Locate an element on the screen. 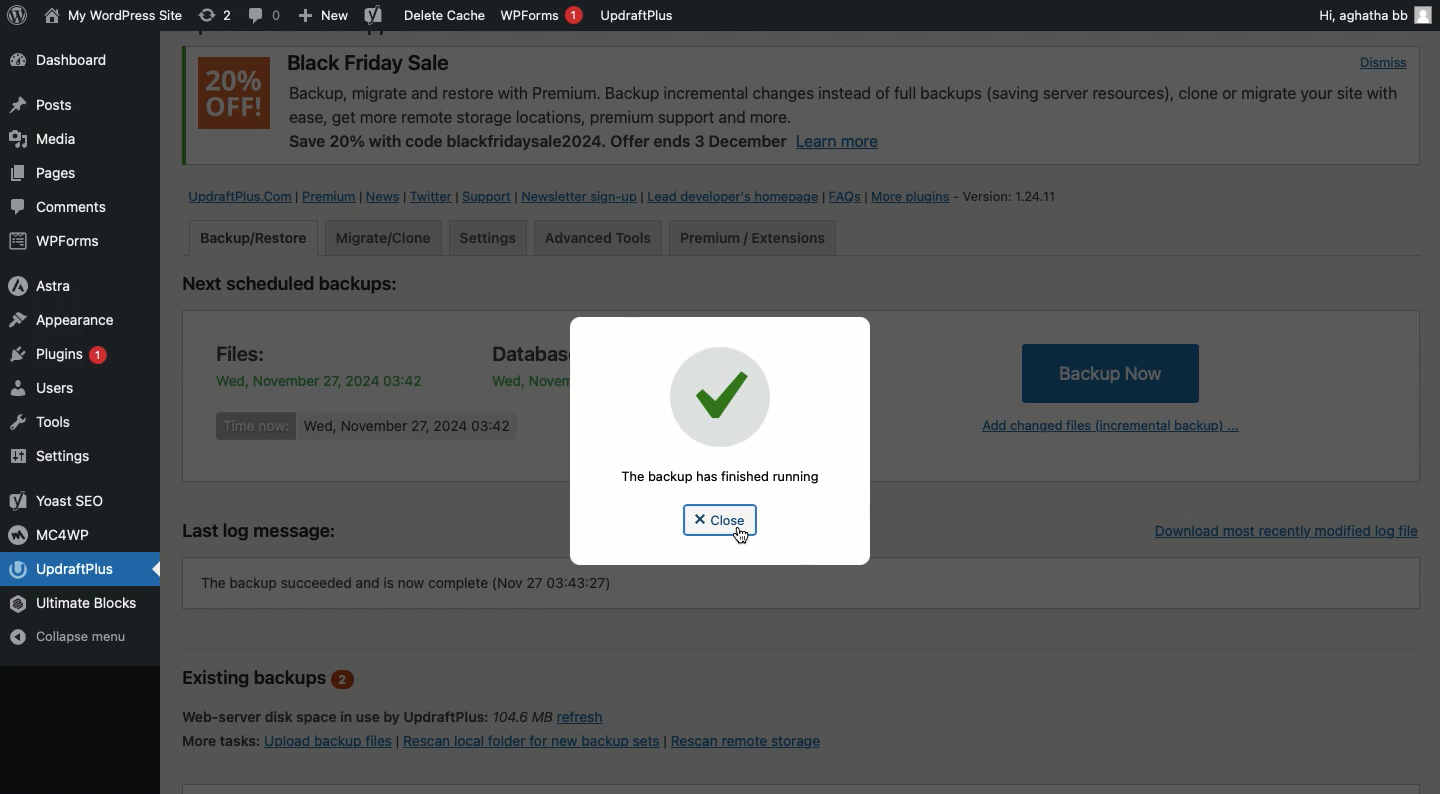 The width and height of the screenshot is (1440, 794). Premium  is located at coordinates (333, 197).